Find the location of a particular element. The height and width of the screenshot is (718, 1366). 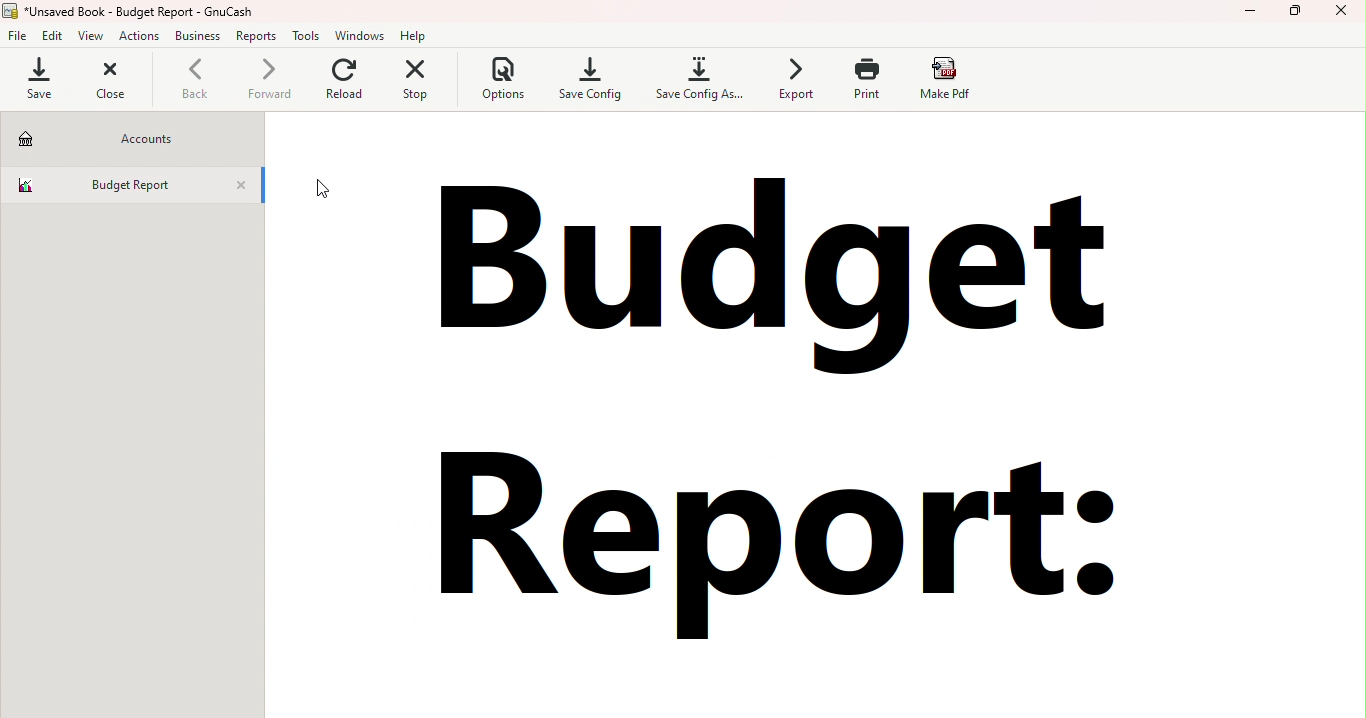

Edit is located at coordinates (55, 36).